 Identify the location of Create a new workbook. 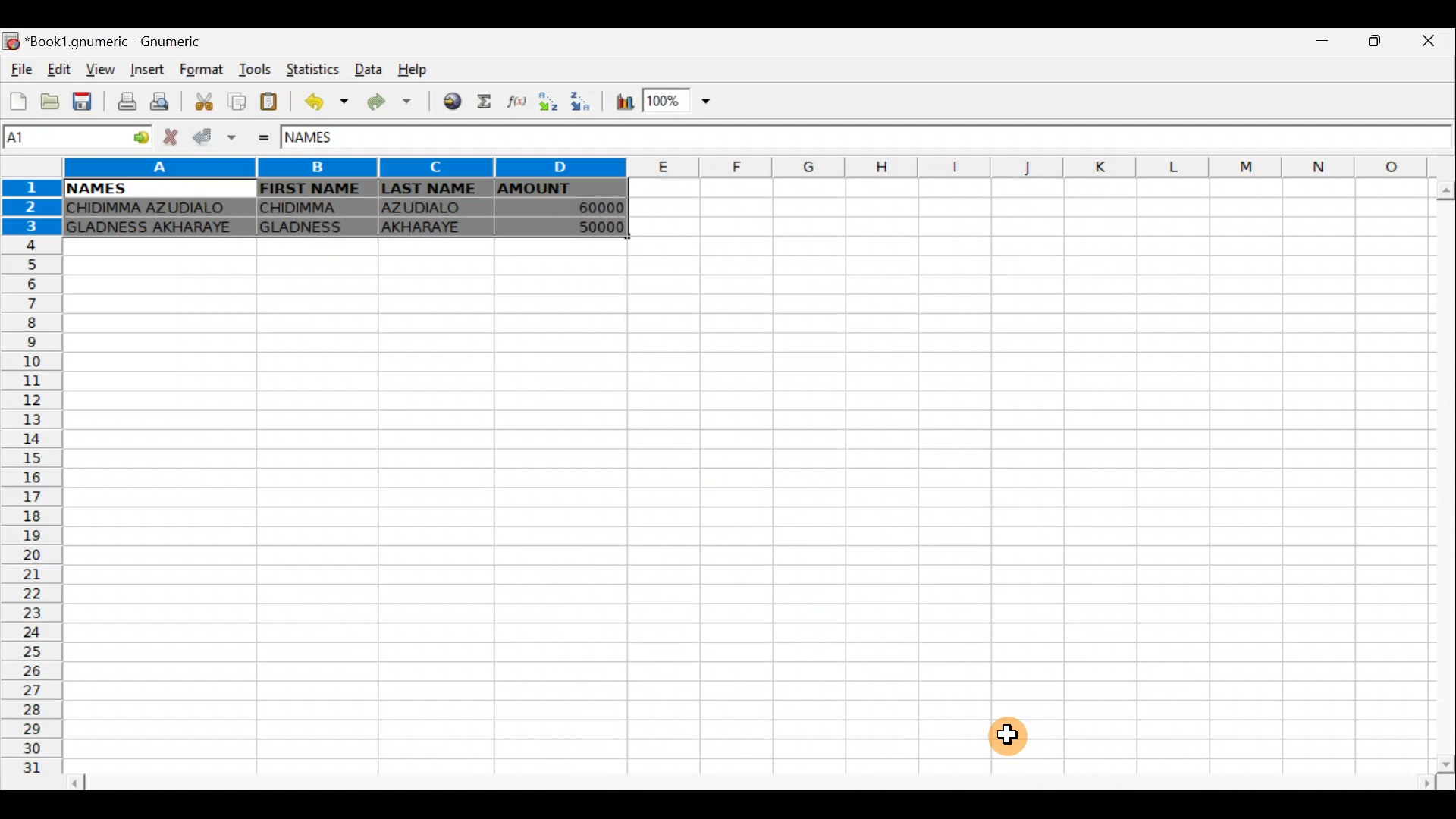
(19, 101).